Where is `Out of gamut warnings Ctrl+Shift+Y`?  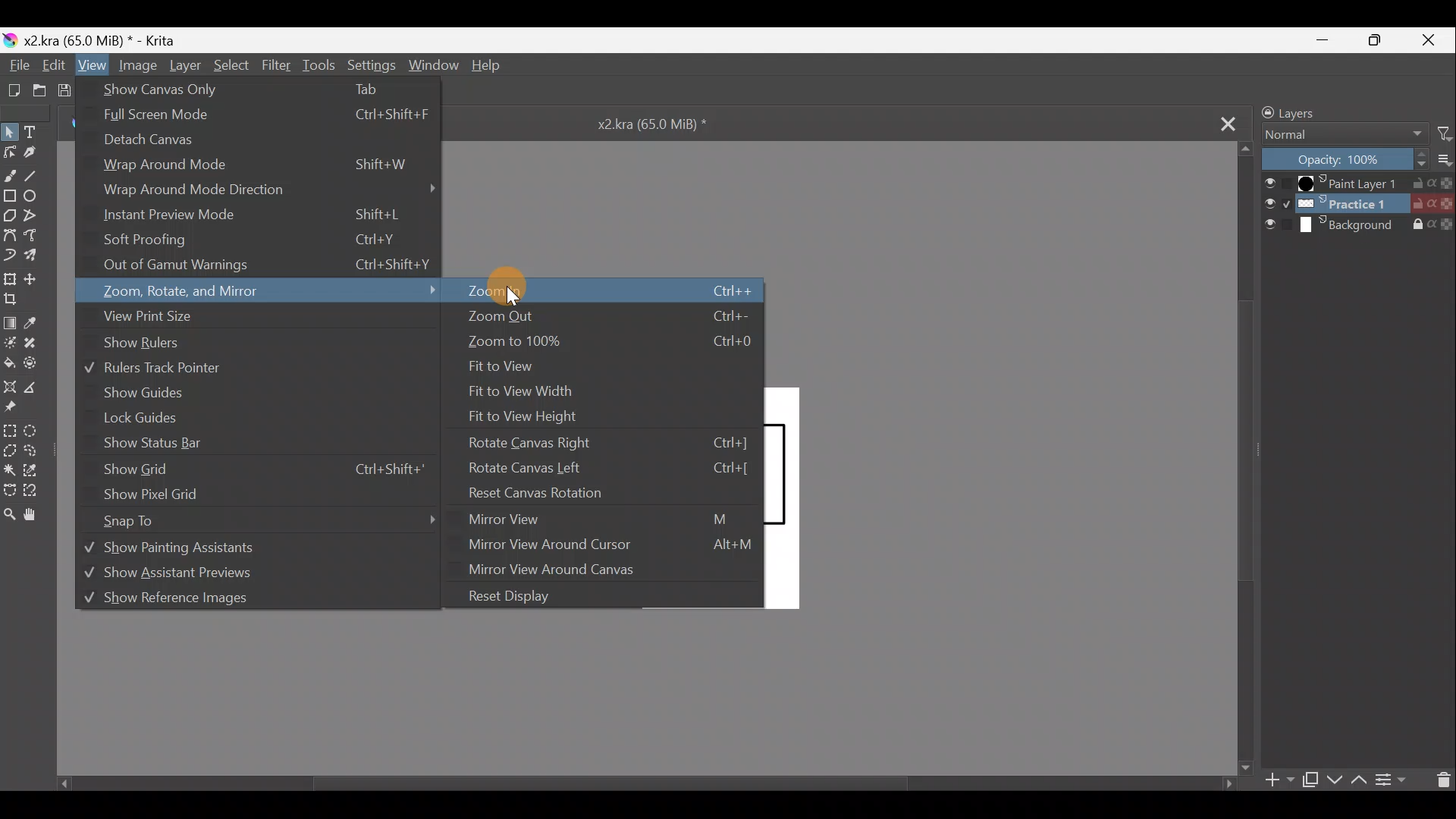
Out of gamut warnings Ctrl+Shift+Y is located at coordinates (275, 268).